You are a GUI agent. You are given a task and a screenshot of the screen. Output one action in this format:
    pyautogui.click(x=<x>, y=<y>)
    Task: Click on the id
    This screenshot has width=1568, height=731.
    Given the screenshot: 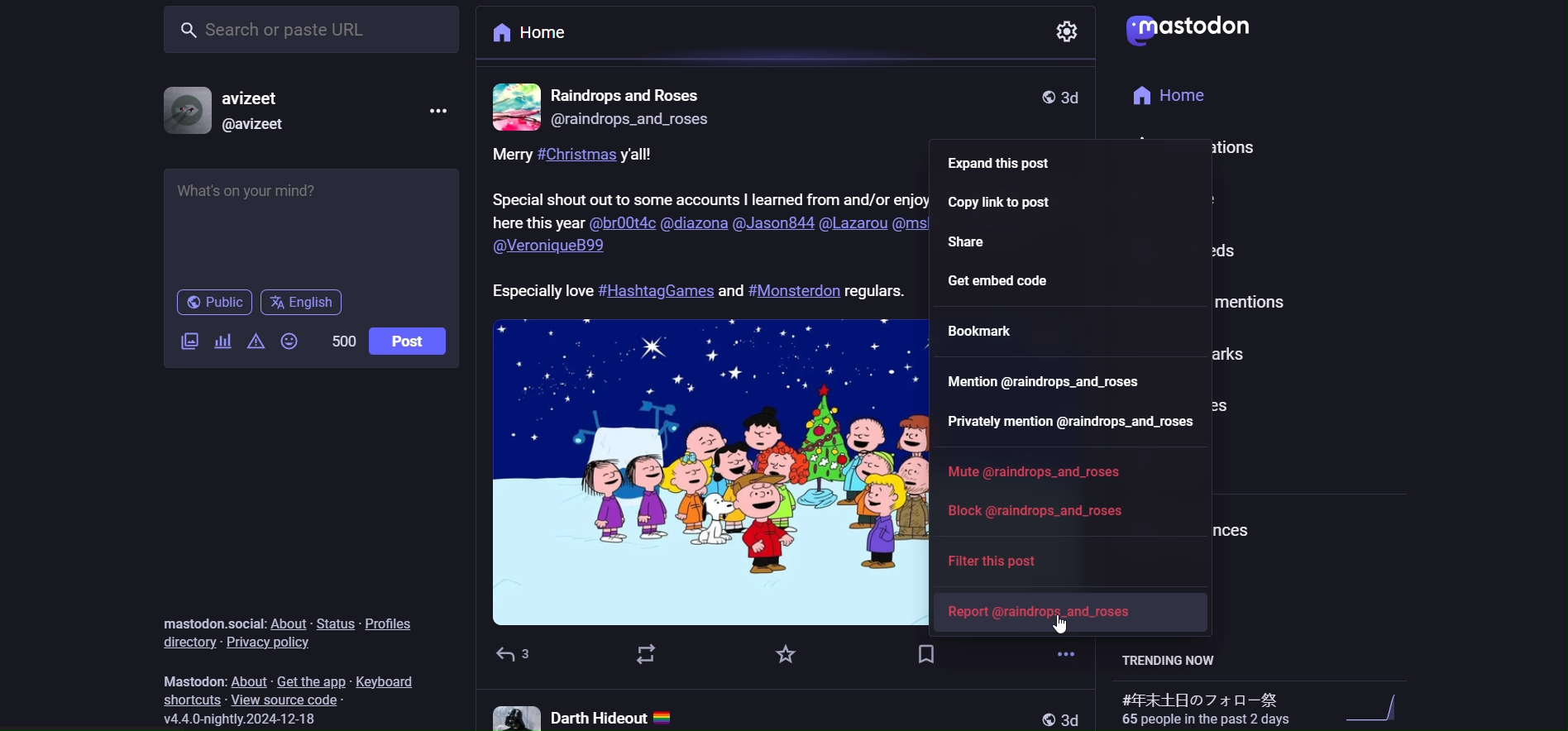 What is the action you would take?
    pyautogui.click(x=256, y=127)
    